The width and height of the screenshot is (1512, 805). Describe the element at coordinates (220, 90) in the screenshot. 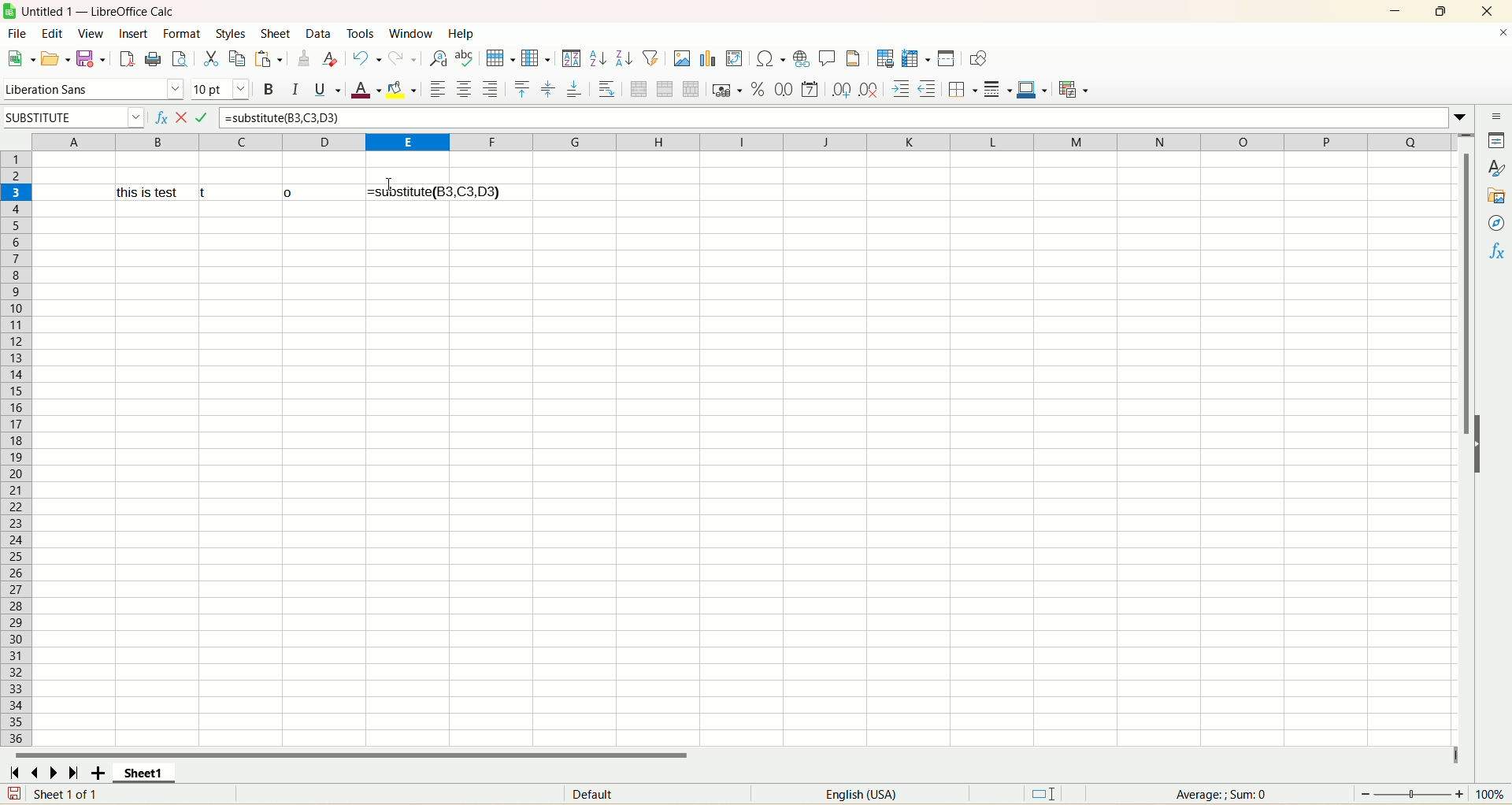

I see `font size` at that location.